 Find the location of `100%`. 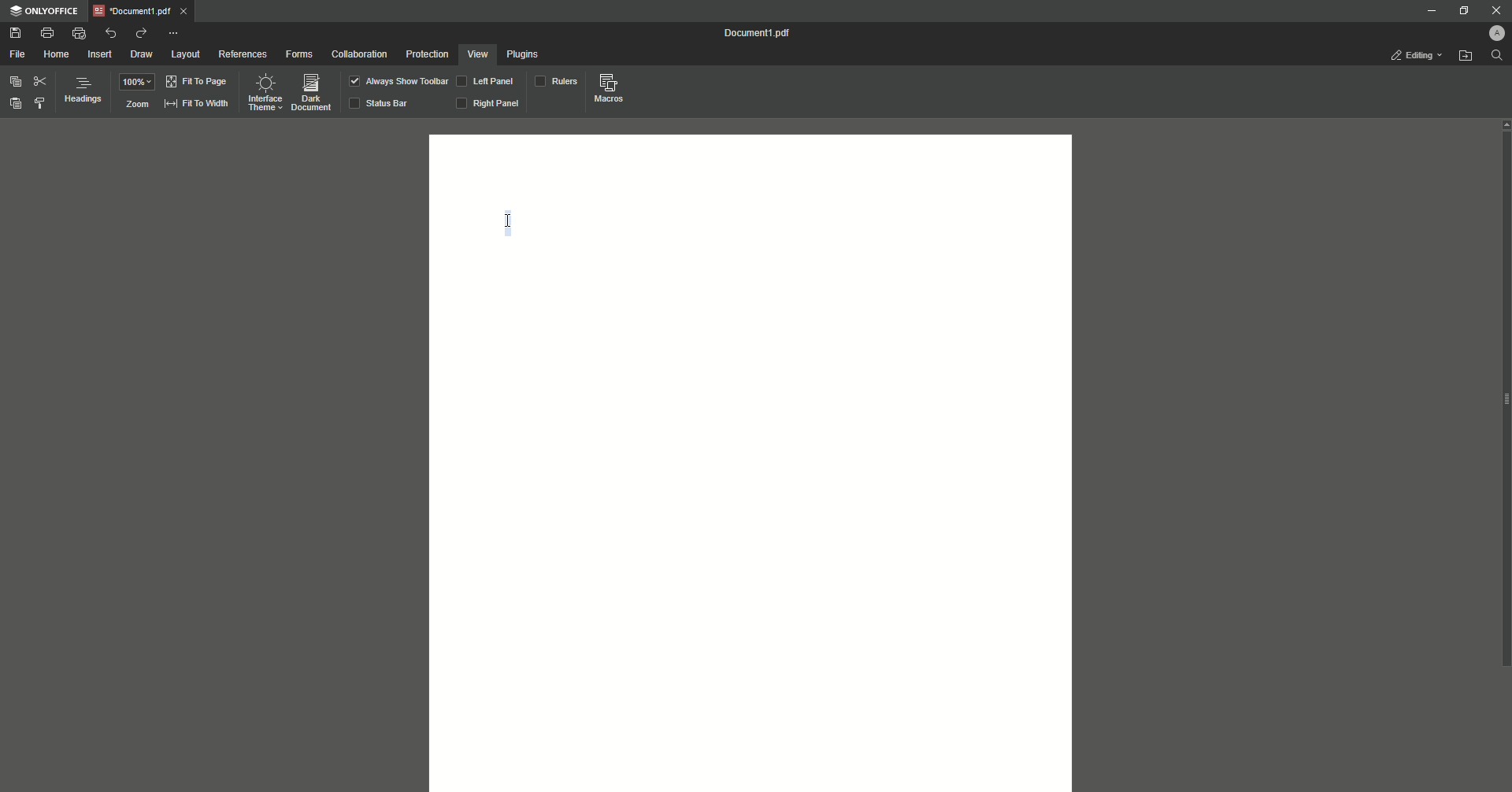

100% is located at coordinates (137, 83).